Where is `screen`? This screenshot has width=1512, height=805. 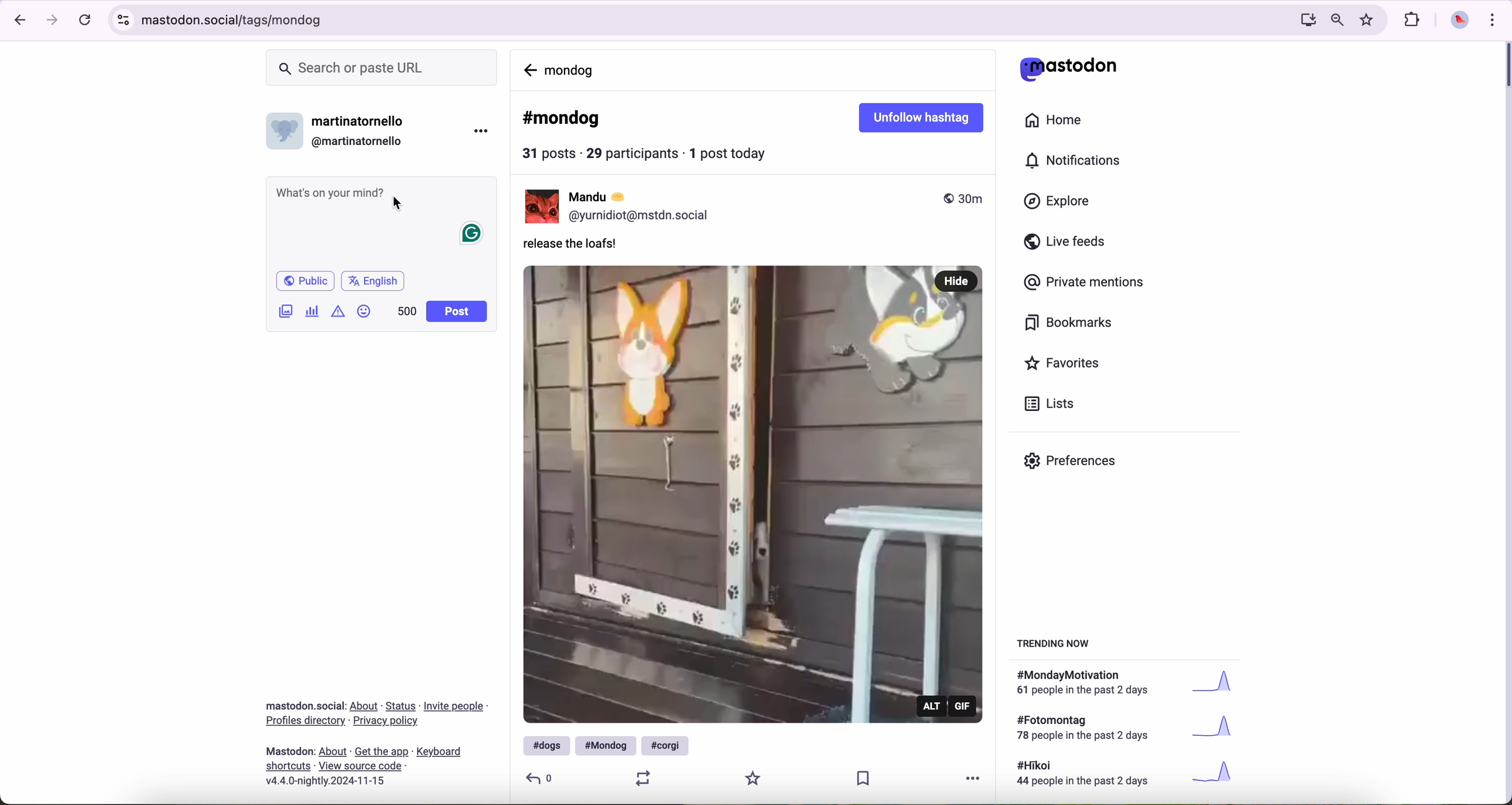
screen is located at coordinates (1305, 21).